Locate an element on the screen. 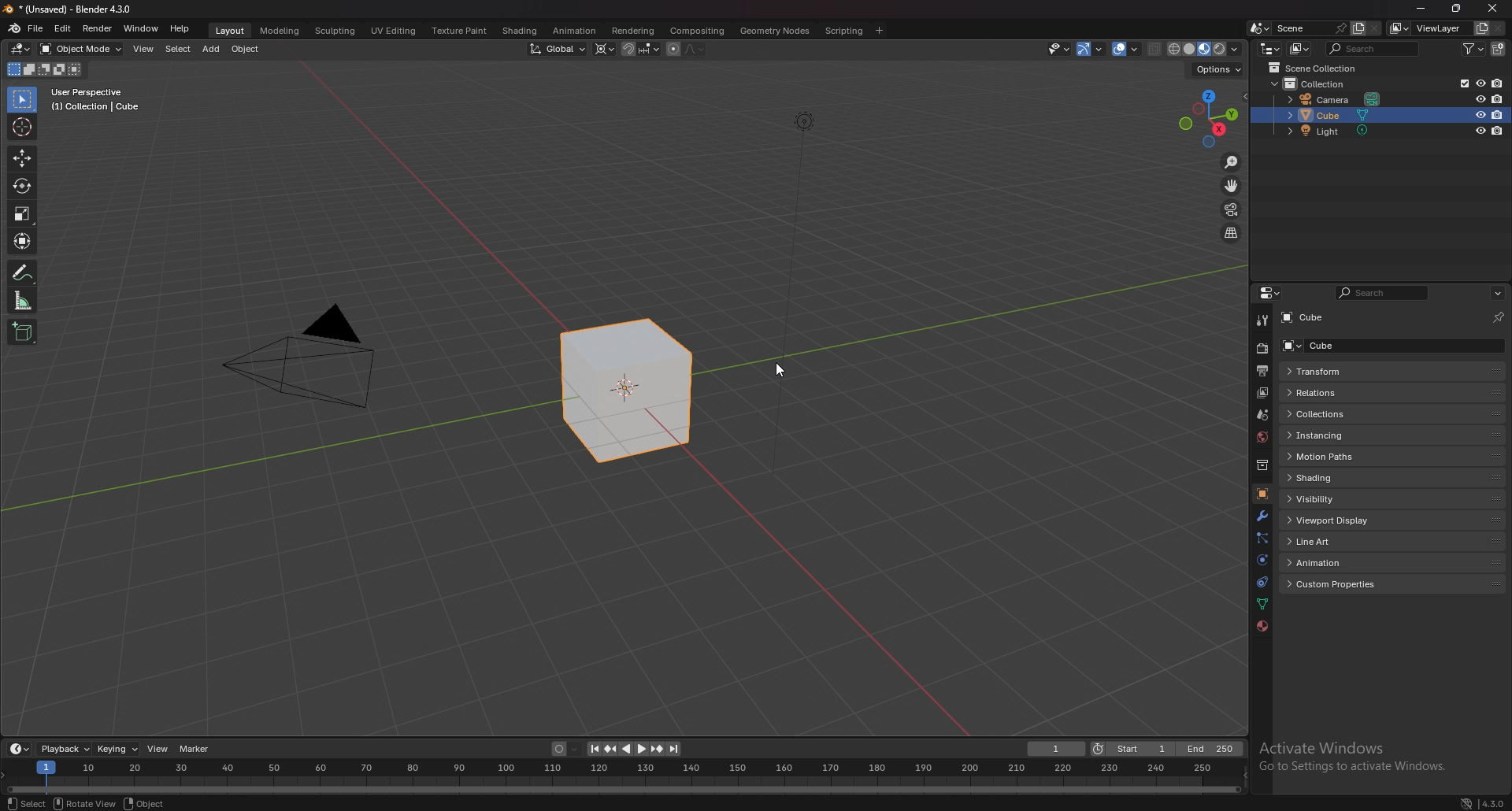 The width and height of the screenshot is (1512, 811). shading is located at coordinates (1334, 478).